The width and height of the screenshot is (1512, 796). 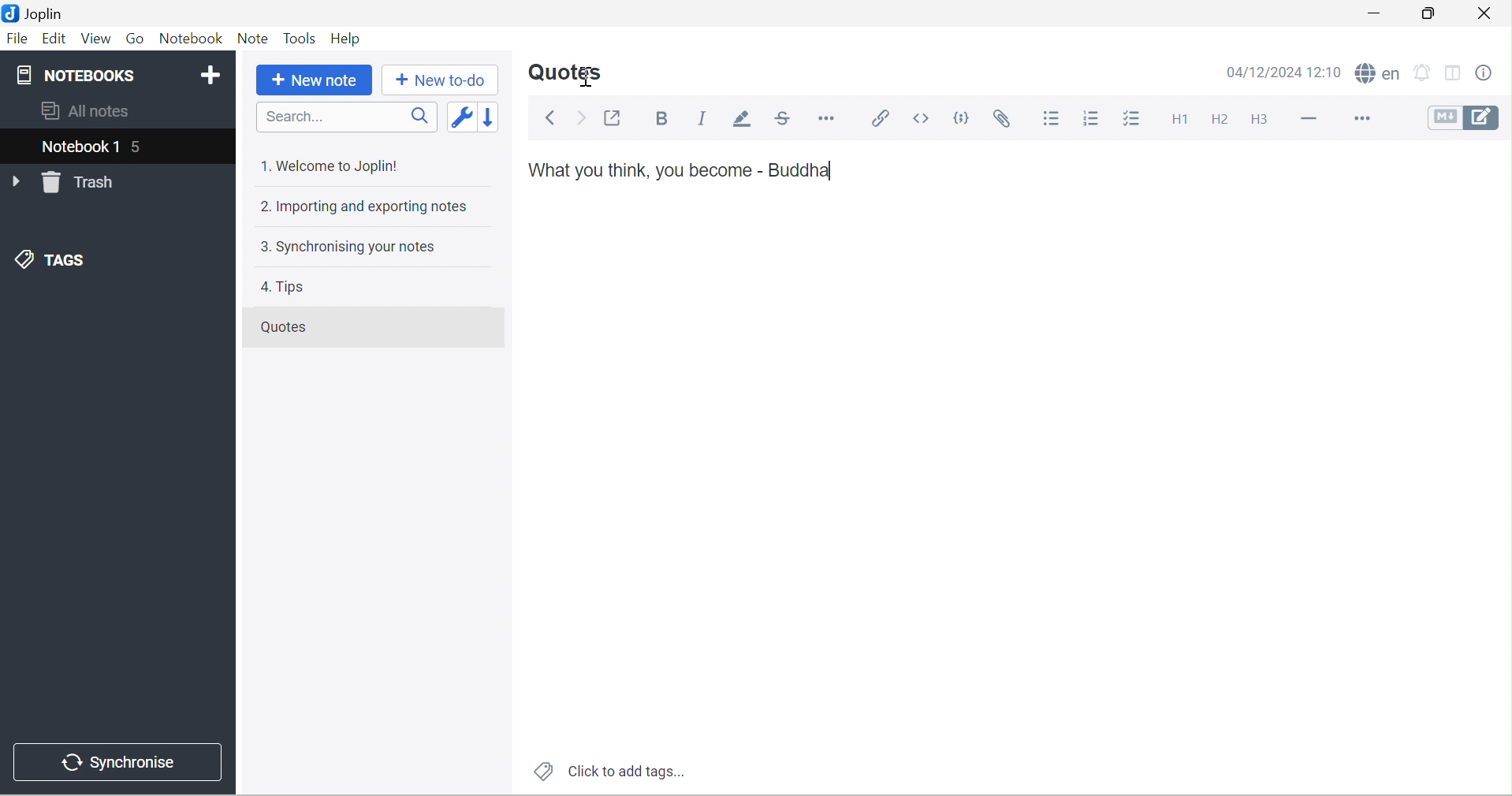 What do you see at coordinates (1487, 15) in the screenshot?
I see `Close` at bounding box center [1487, 15].